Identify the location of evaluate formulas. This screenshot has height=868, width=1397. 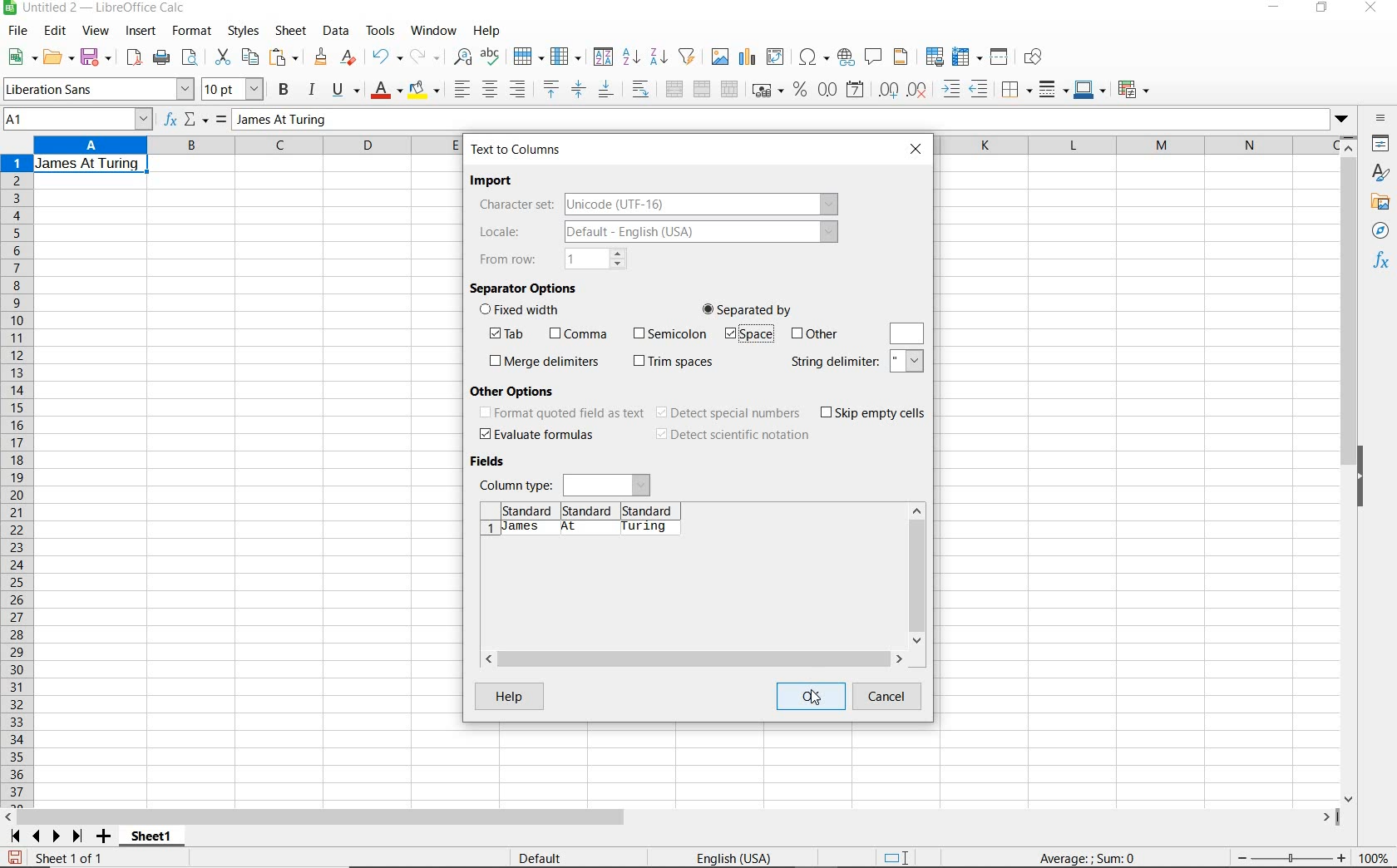
(537, 435).